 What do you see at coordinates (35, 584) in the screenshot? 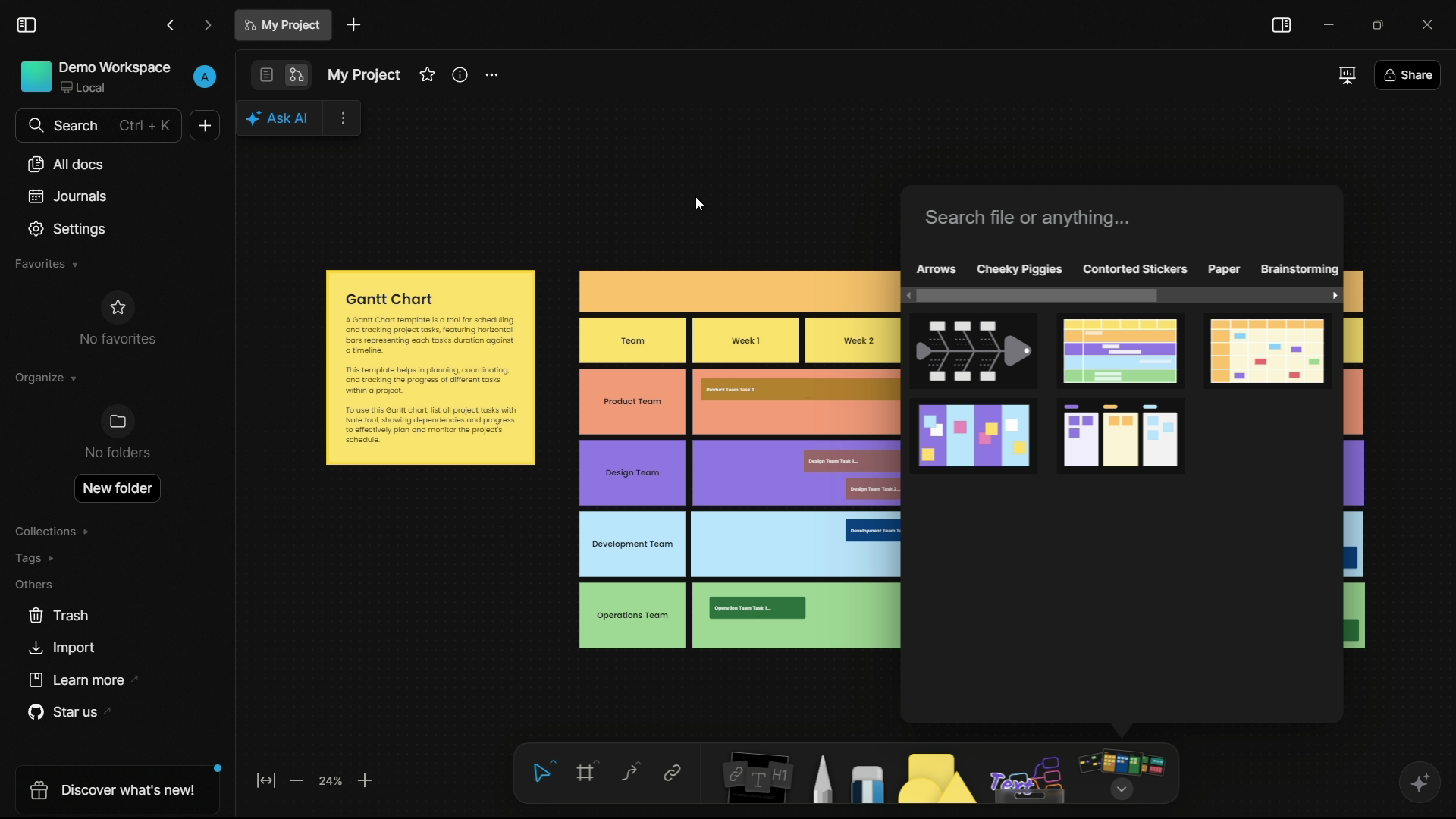
I see `others` at bounding box center [35, 584].